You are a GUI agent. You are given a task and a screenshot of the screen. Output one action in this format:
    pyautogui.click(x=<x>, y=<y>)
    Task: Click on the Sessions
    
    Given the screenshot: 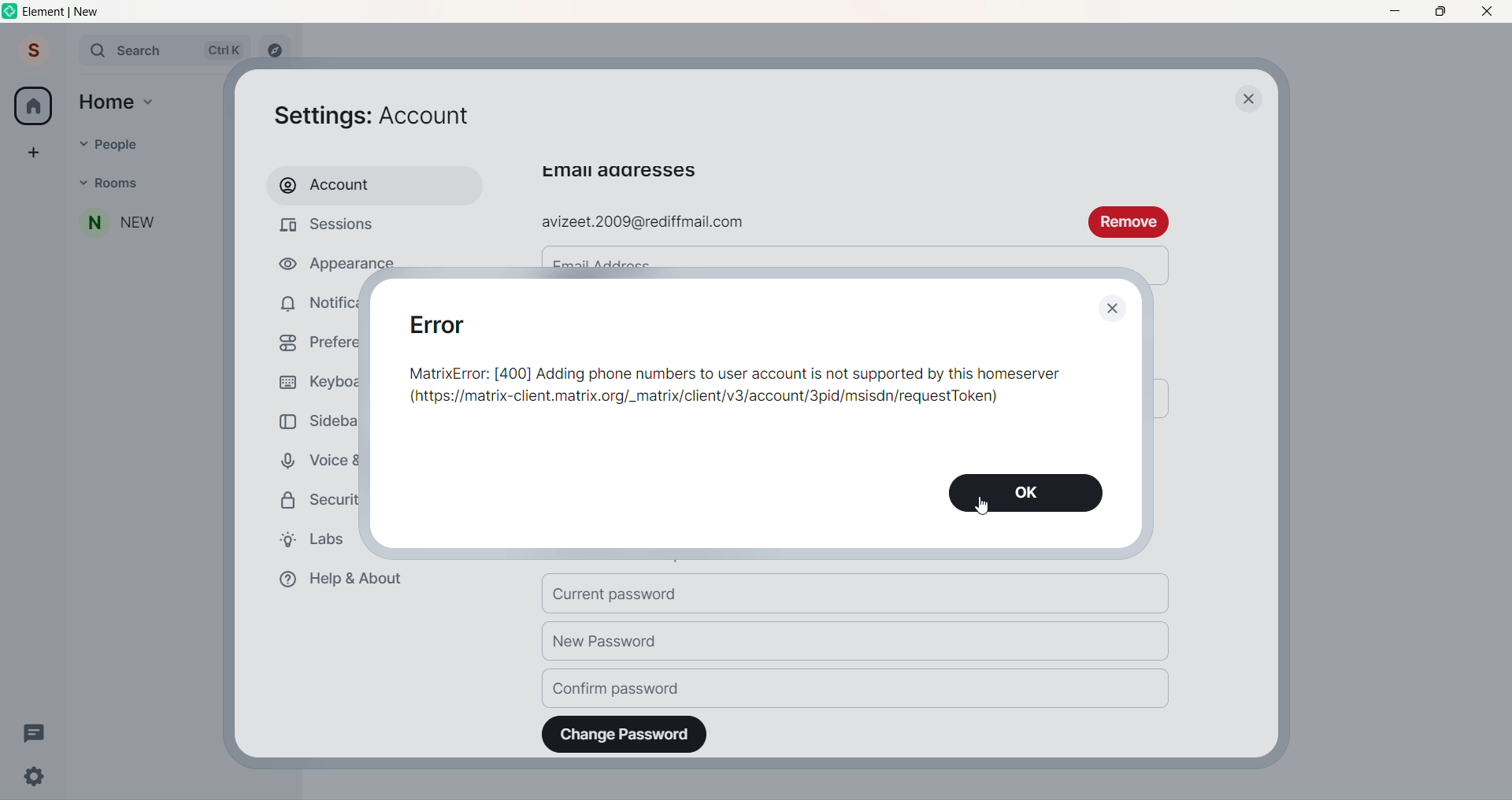 What is the action you would take?
    pyautogui.click(x=339, y=226)
    